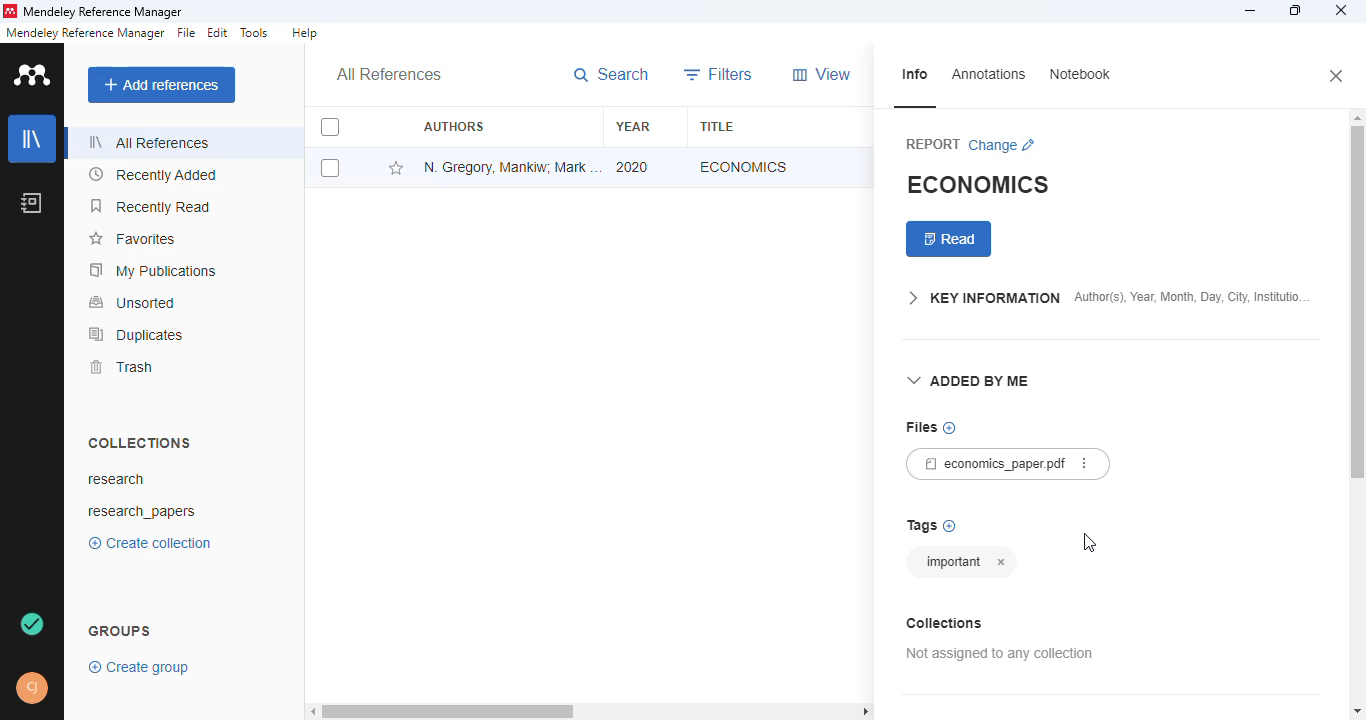 The width and height of the screenshot is (1366, 720). What do you see at coordinates (949, 561) in the screenshot?
I see `tag added` at bounding box center [949, 561].